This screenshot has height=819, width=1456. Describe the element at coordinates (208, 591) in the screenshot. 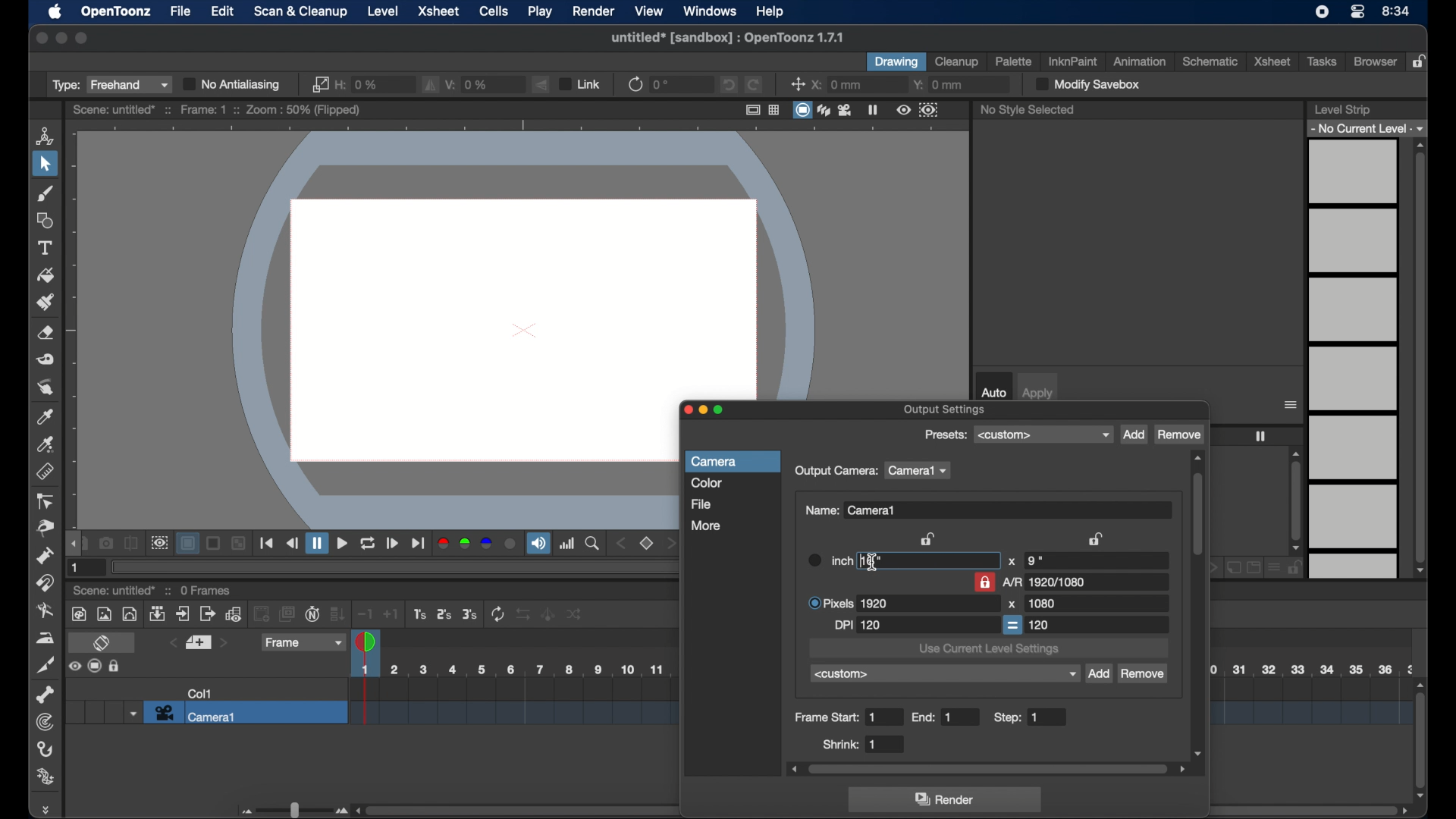

I see `` at that location.